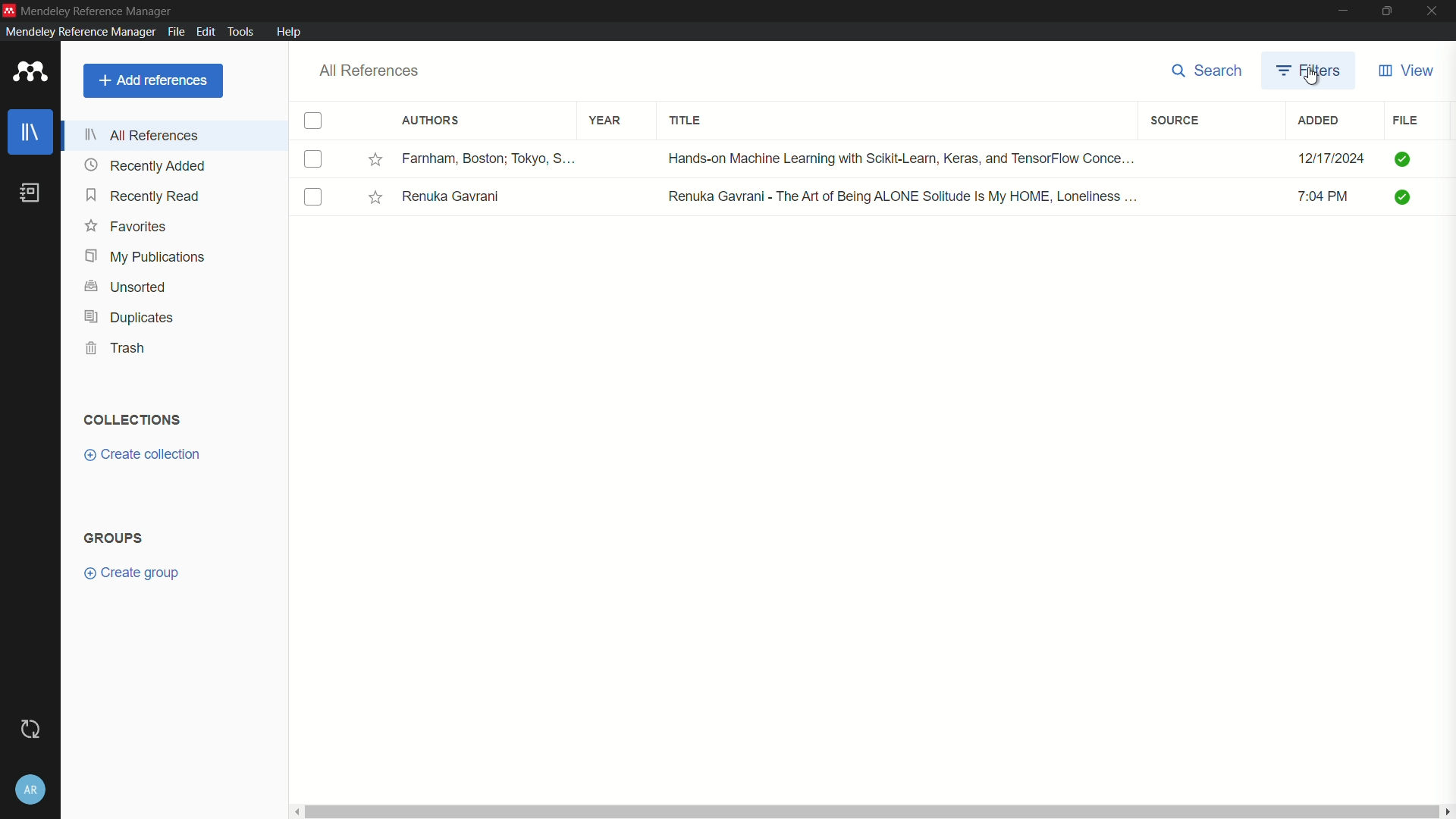  I want to click on all references, so click(372, 71).